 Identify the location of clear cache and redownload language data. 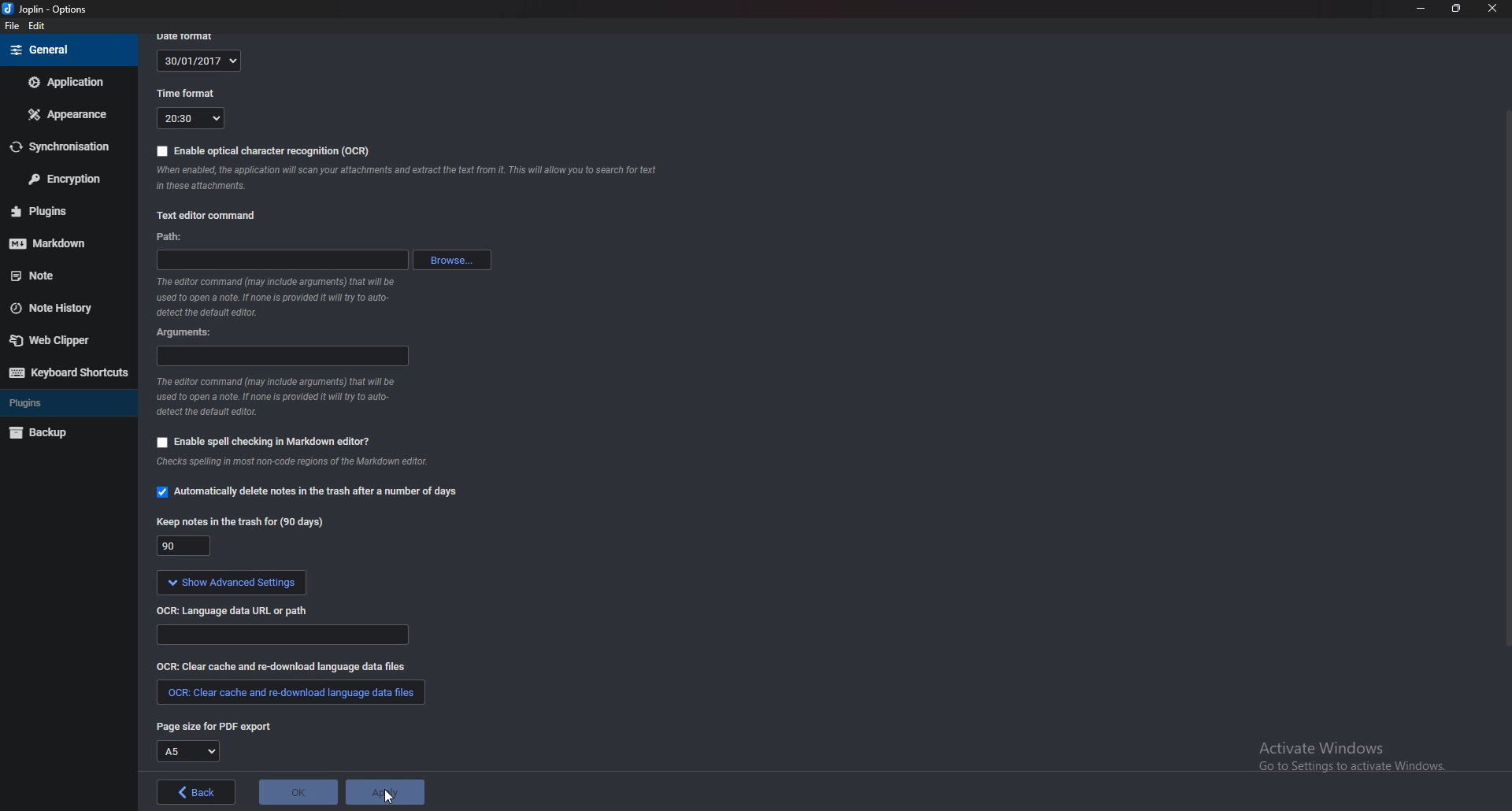
(292, 691).